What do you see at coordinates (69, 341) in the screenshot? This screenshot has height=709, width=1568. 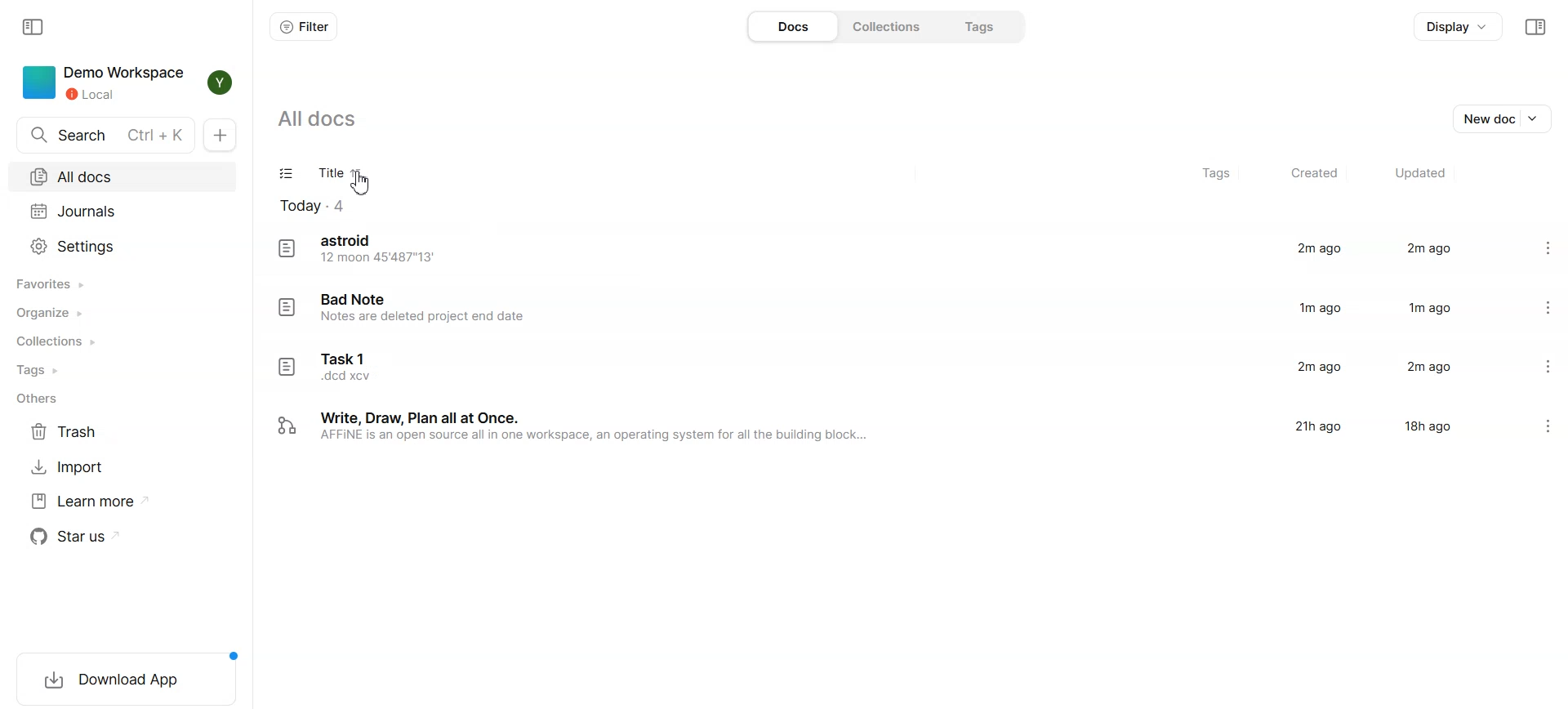 I see `Collections` at bounding box center [69, 341].